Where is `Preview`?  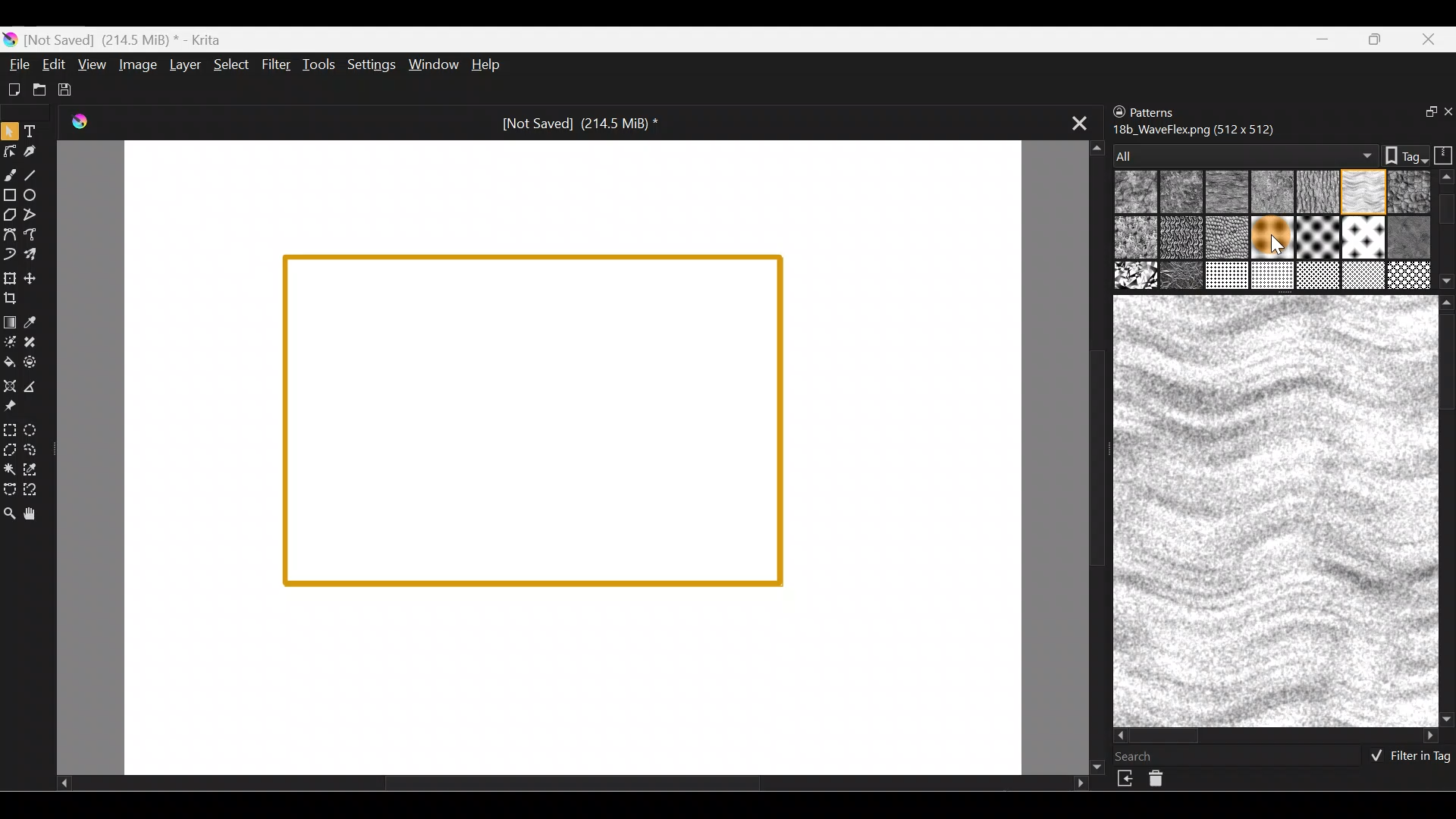
Preview is located at coordinates (1272, 510).